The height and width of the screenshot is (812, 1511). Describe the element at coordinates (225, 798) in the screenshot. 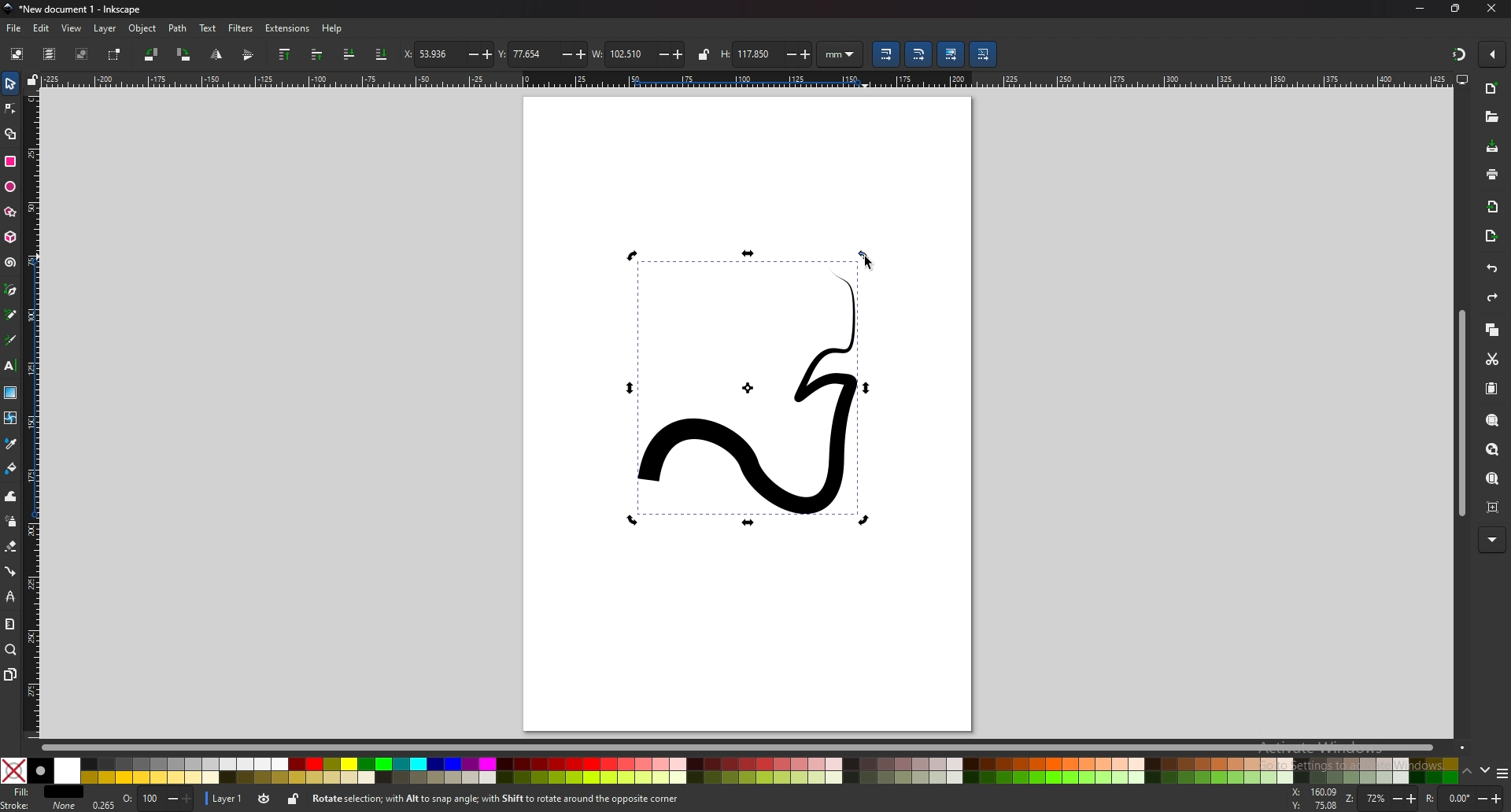

I see `layer` at that location.